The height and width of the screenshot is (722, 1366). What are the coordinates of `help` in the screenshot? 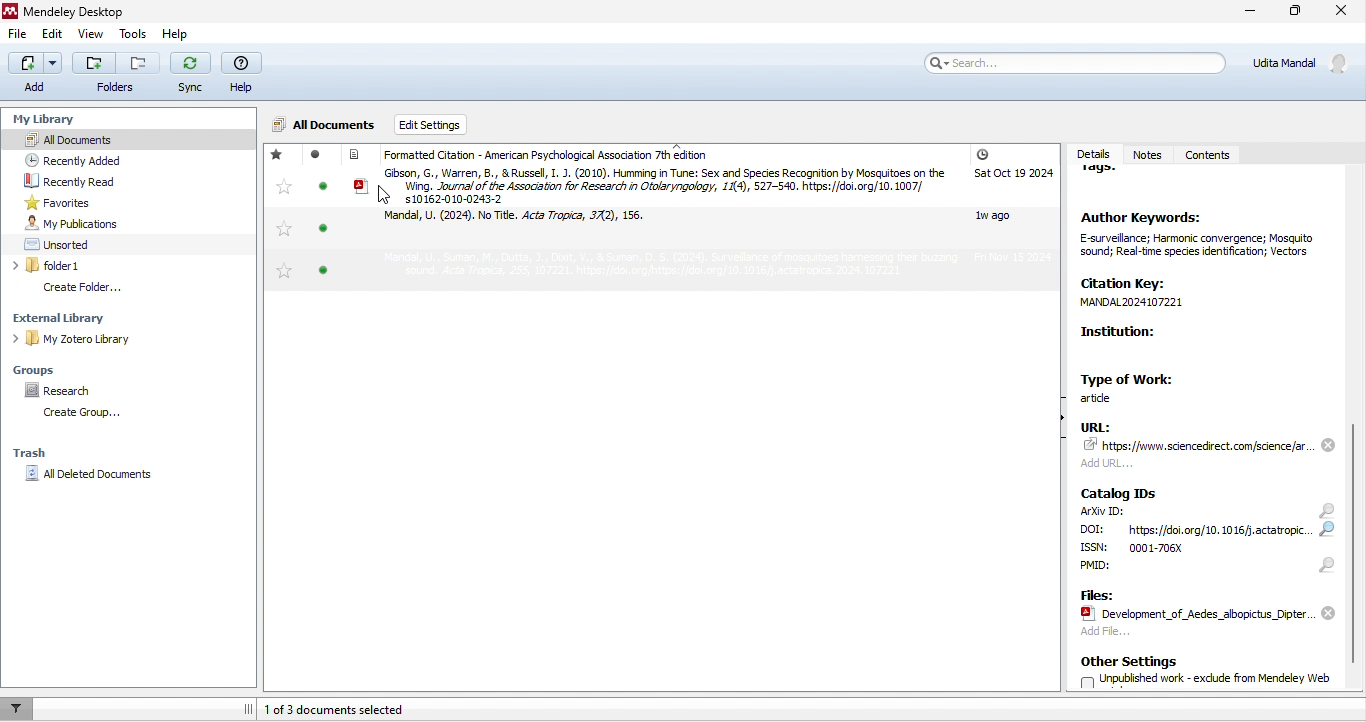 It's located at (173, 34).